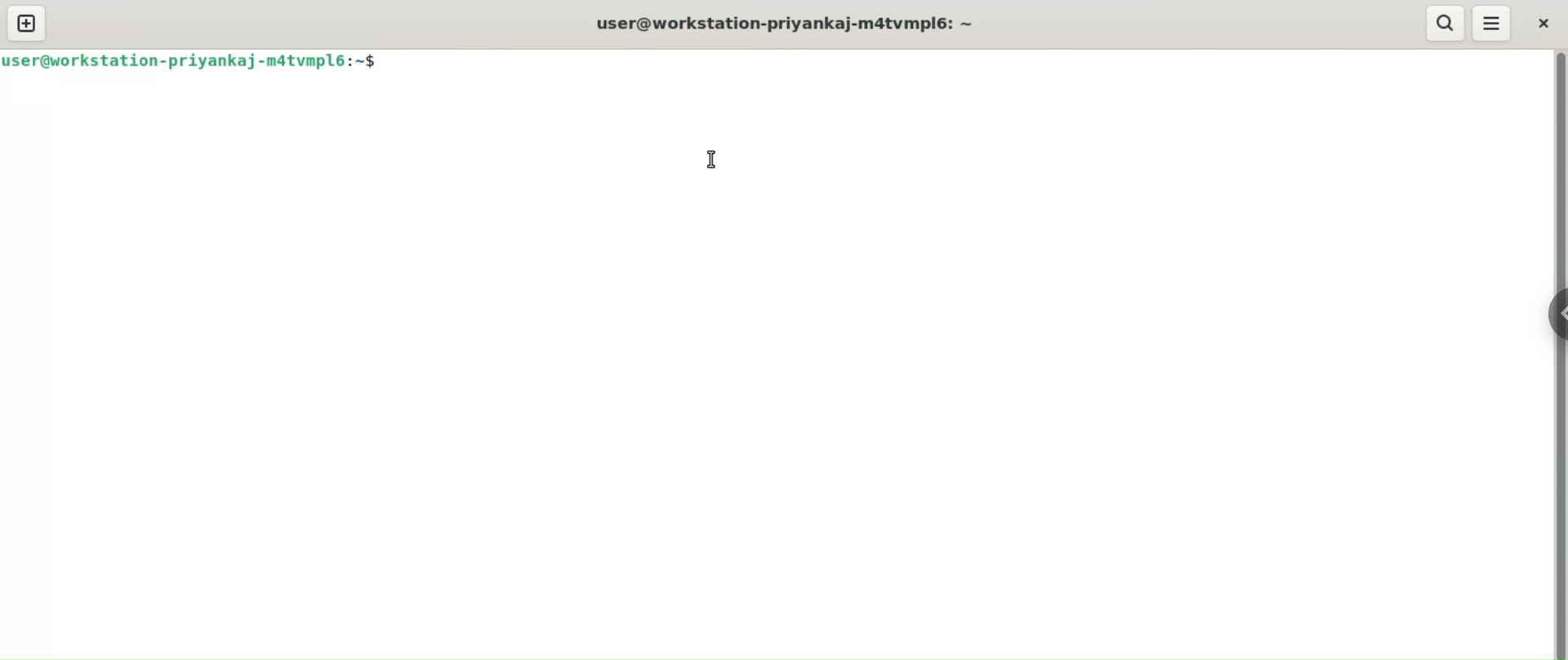  I want to click on new tab, so click(25, 22).